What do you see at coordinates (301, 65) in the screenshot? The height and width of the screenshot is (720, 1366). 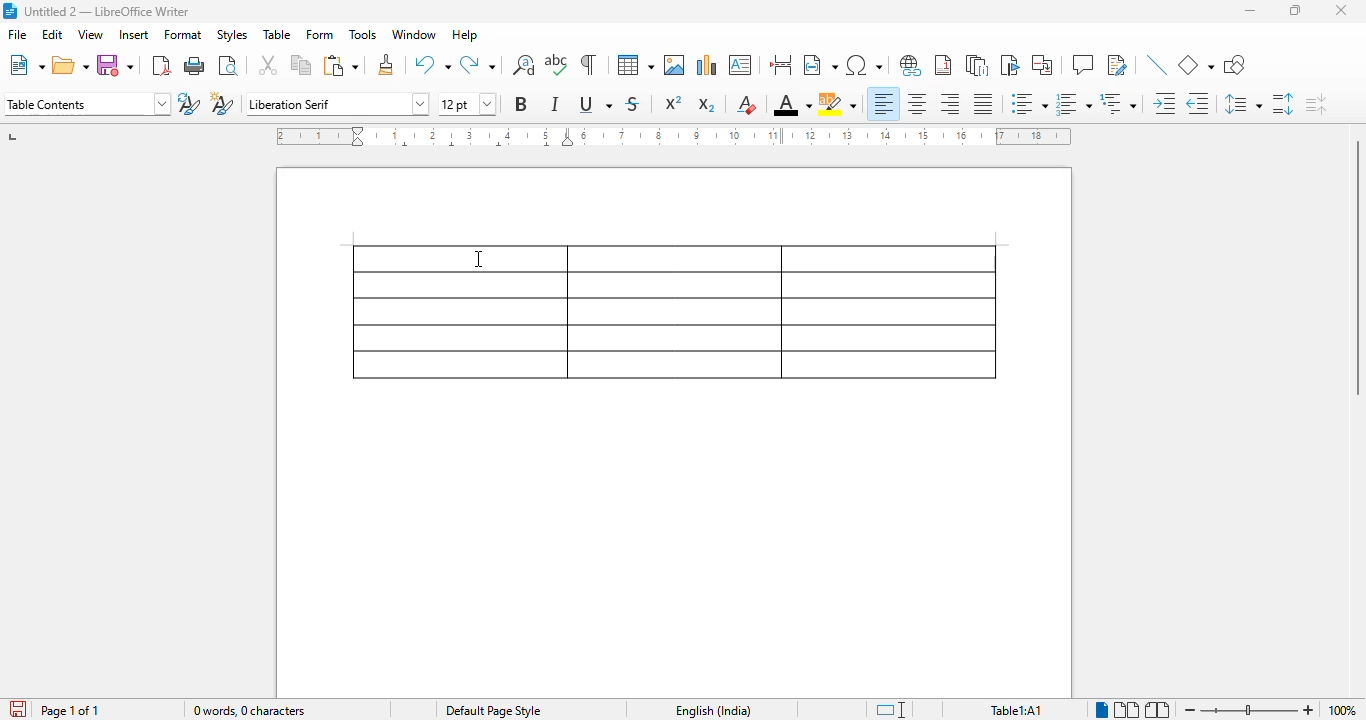 I see `copy` at bounding box center [301, 65].